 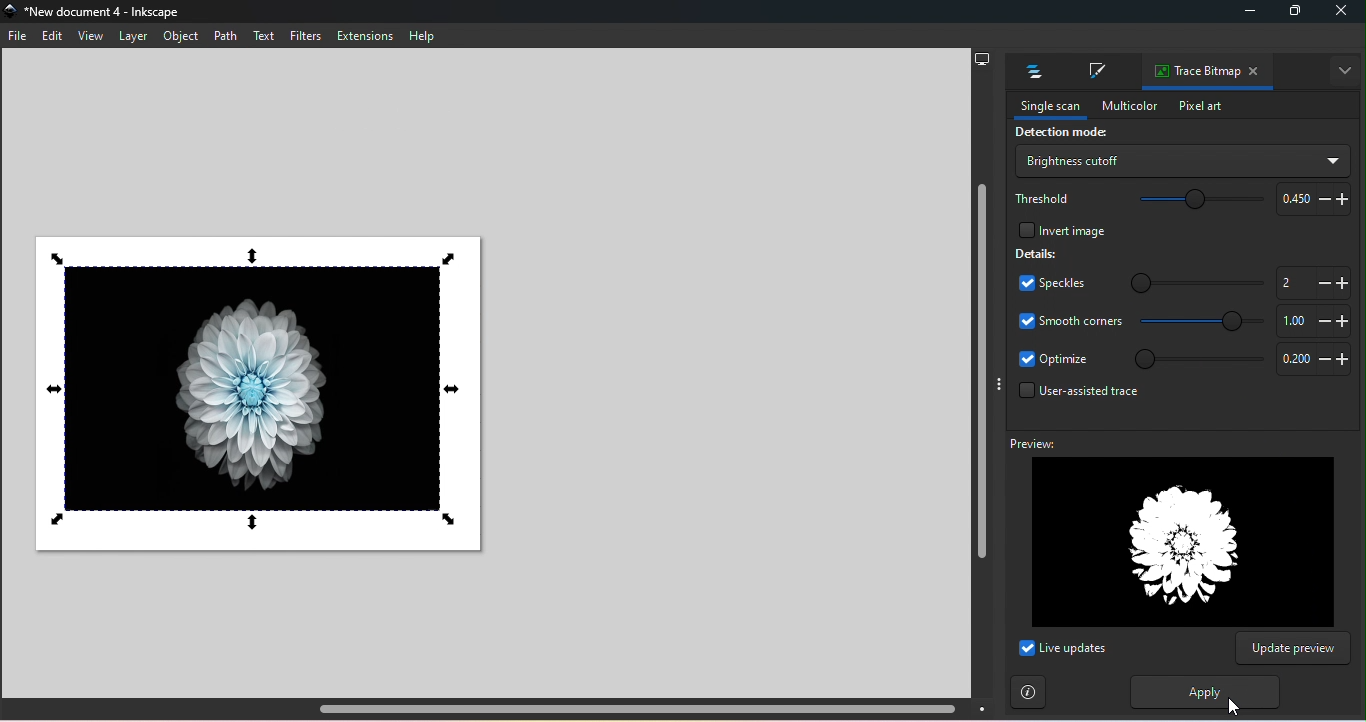 What do you see at coordinates (422, 36) in the screenshot?
I see `Help` at bounding box center [422, 36].